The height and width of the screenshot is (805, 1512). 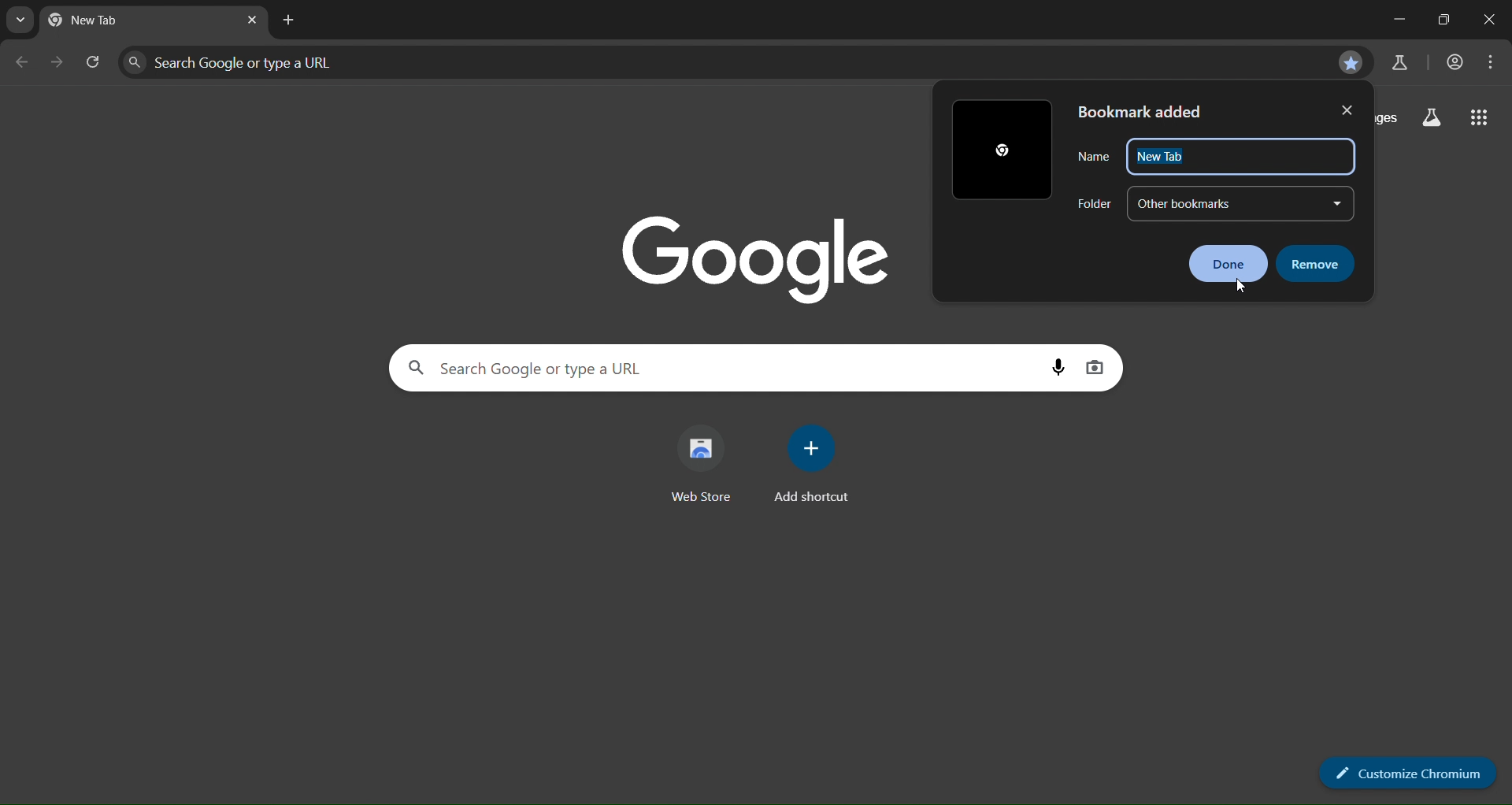 What do you see at coordinates (1451, 63) in the screenshot?
I see `account` at bounding box center [1451, 63].